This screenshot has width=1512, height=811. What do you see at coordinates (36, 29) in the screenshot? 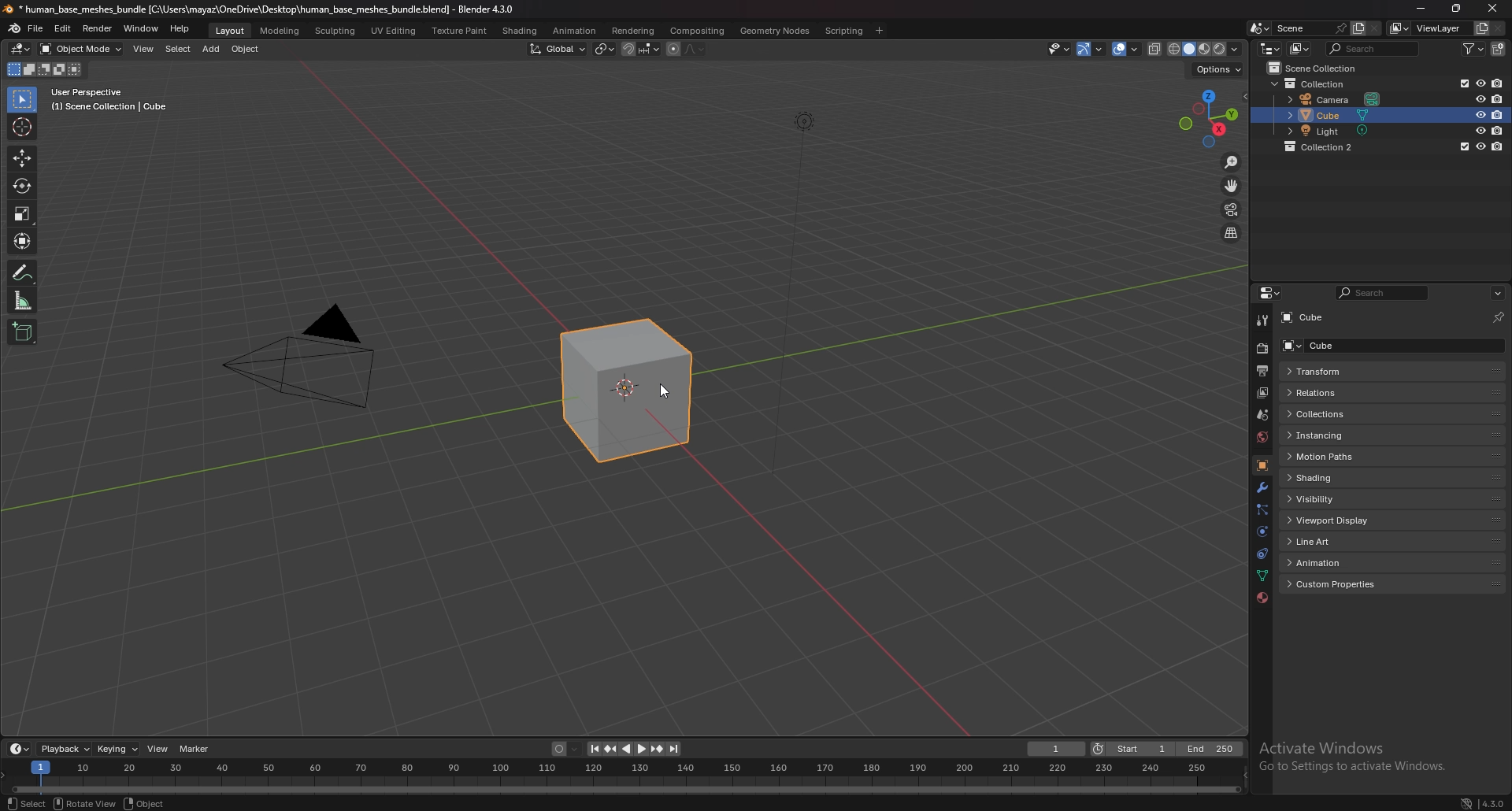
I see `file` at bounding box center [36, 29].